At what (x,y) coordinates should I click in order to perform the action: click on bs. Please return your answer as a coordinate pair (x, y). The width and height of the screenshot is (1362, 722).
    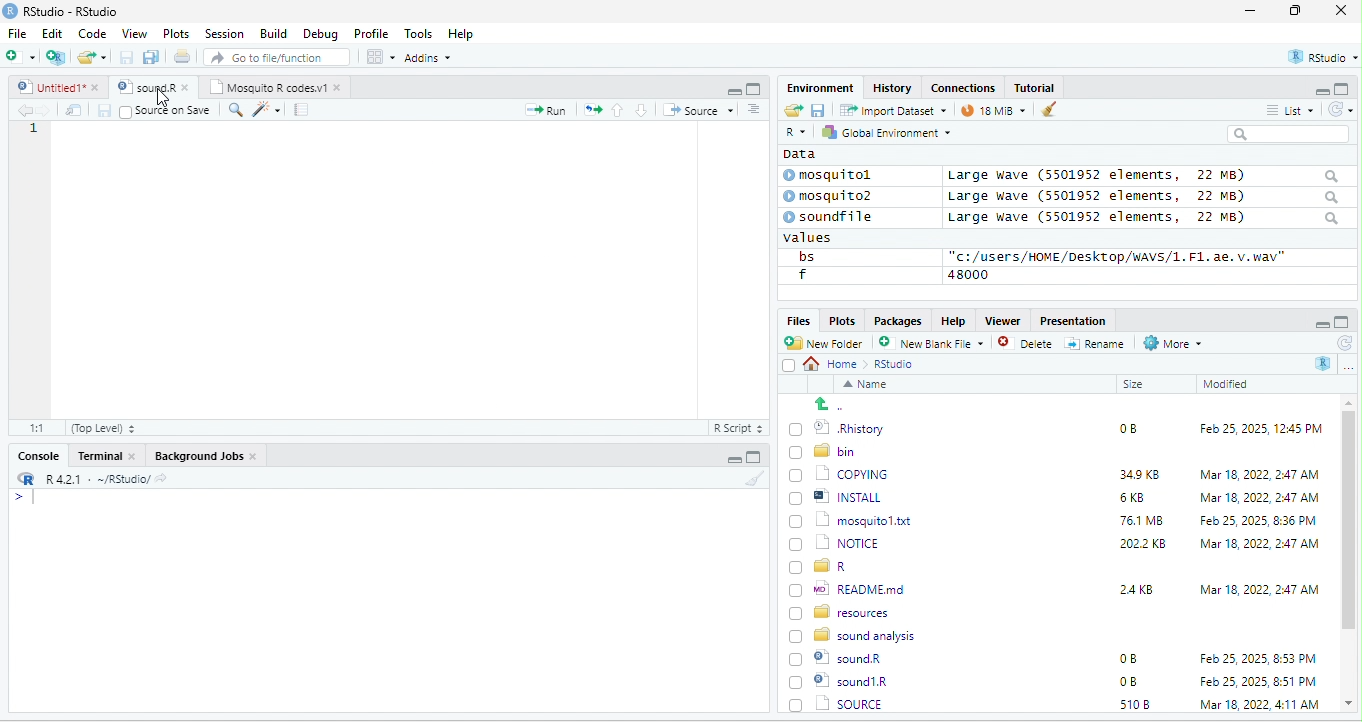
    Looking at the image, I should click on (803, 256).